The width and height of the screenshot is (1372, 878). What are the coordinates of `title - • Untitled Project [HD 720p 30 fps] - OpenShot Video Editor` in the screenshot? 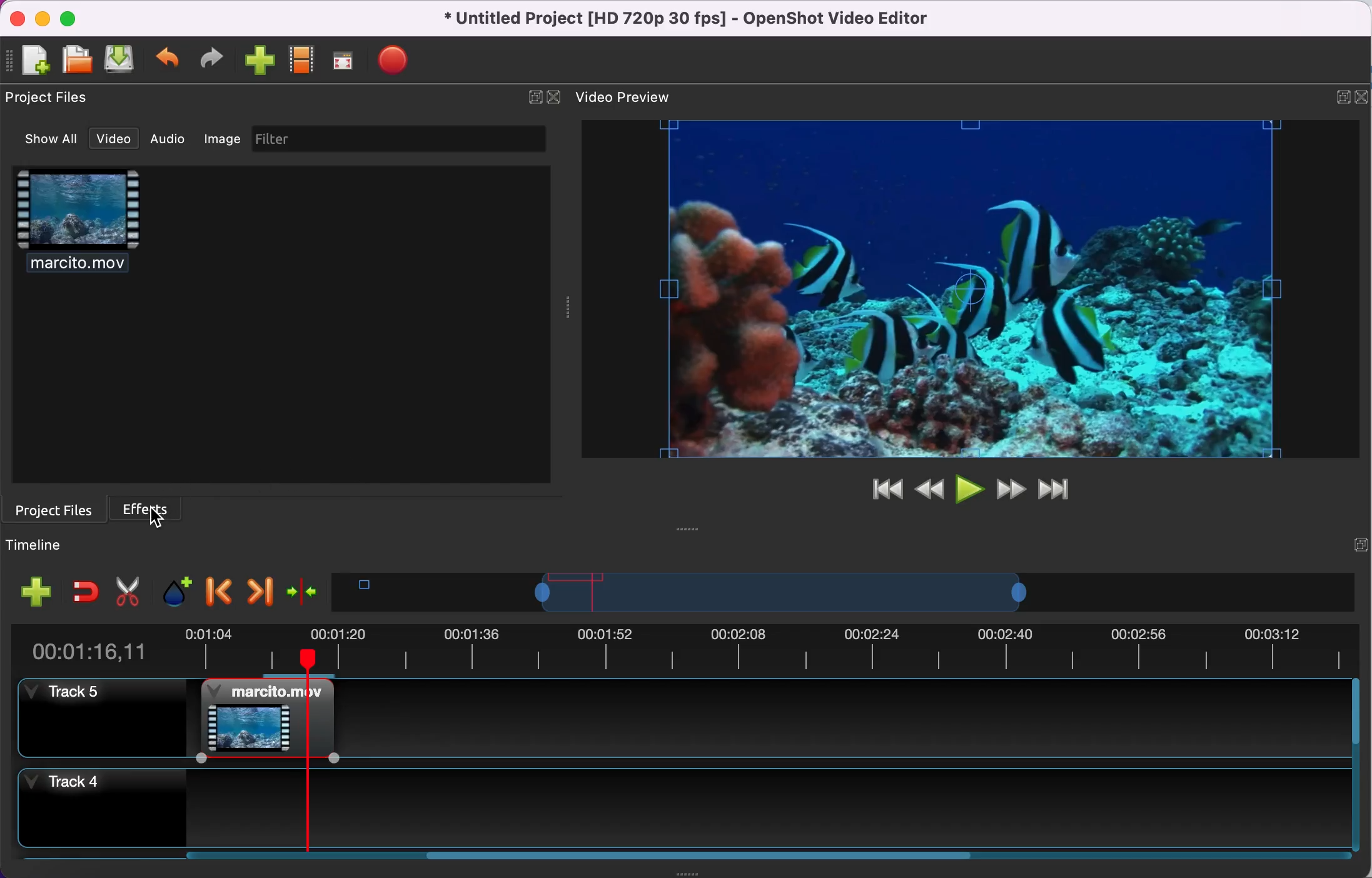 It's located at (680, 19).